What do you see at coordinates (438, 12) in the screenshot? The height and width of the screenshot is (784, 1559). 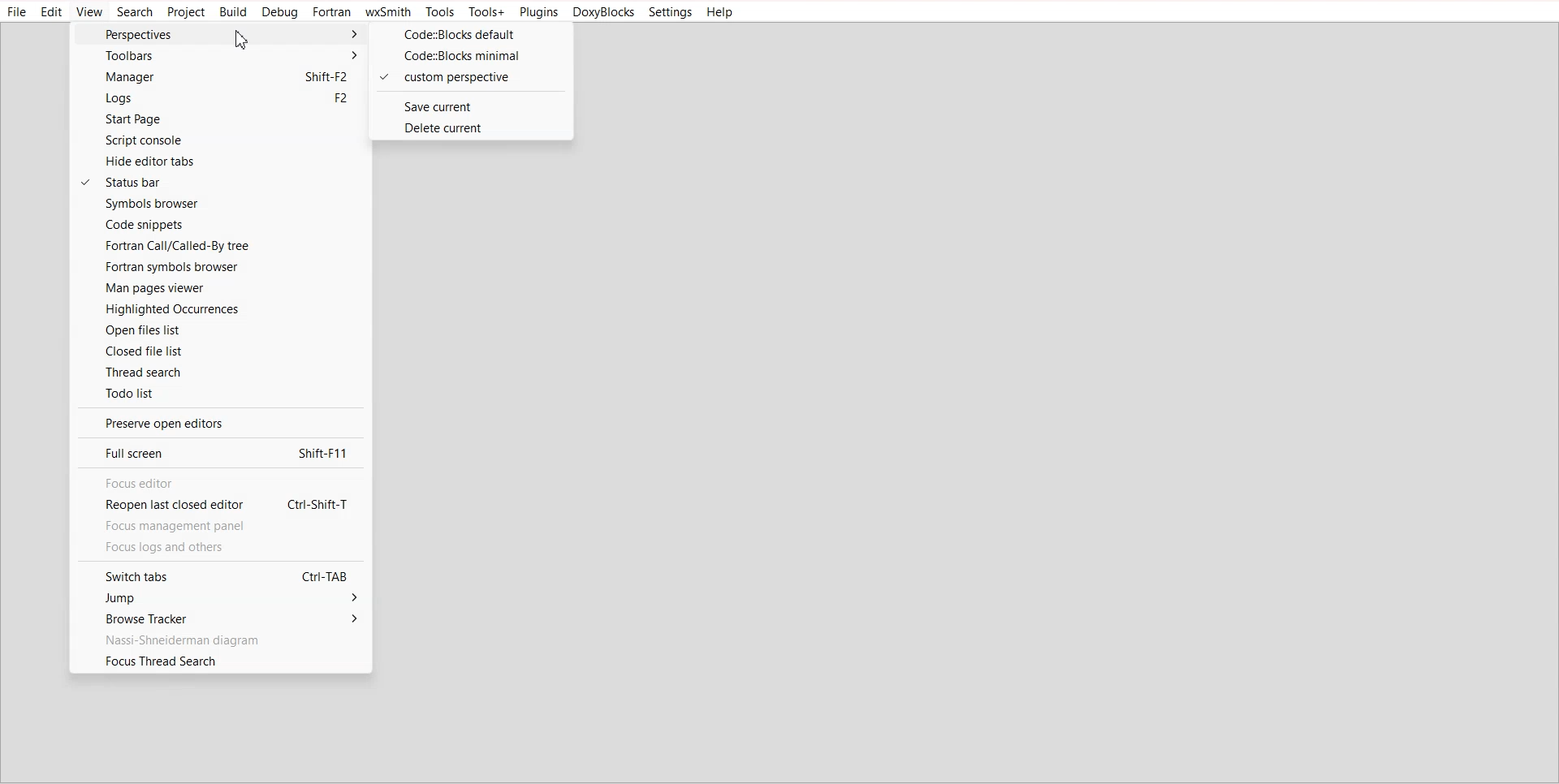 I see `Tools` at bounding box center [438, 12].